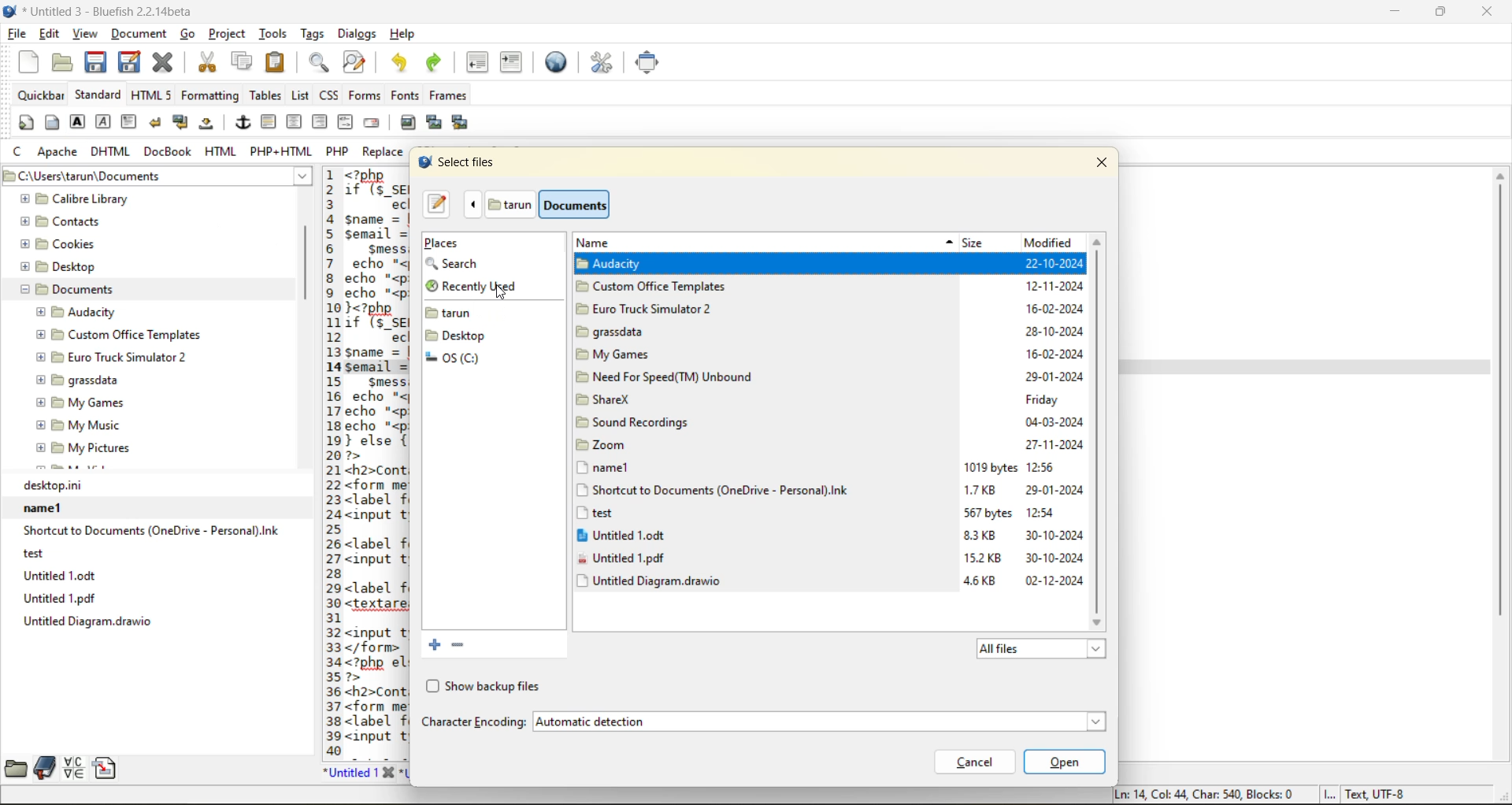 This screenshot has height=805, width=1512. What do you see at coordinates (86, 35) in the screenshot?
I see `view` at bounding box center [86, 35].